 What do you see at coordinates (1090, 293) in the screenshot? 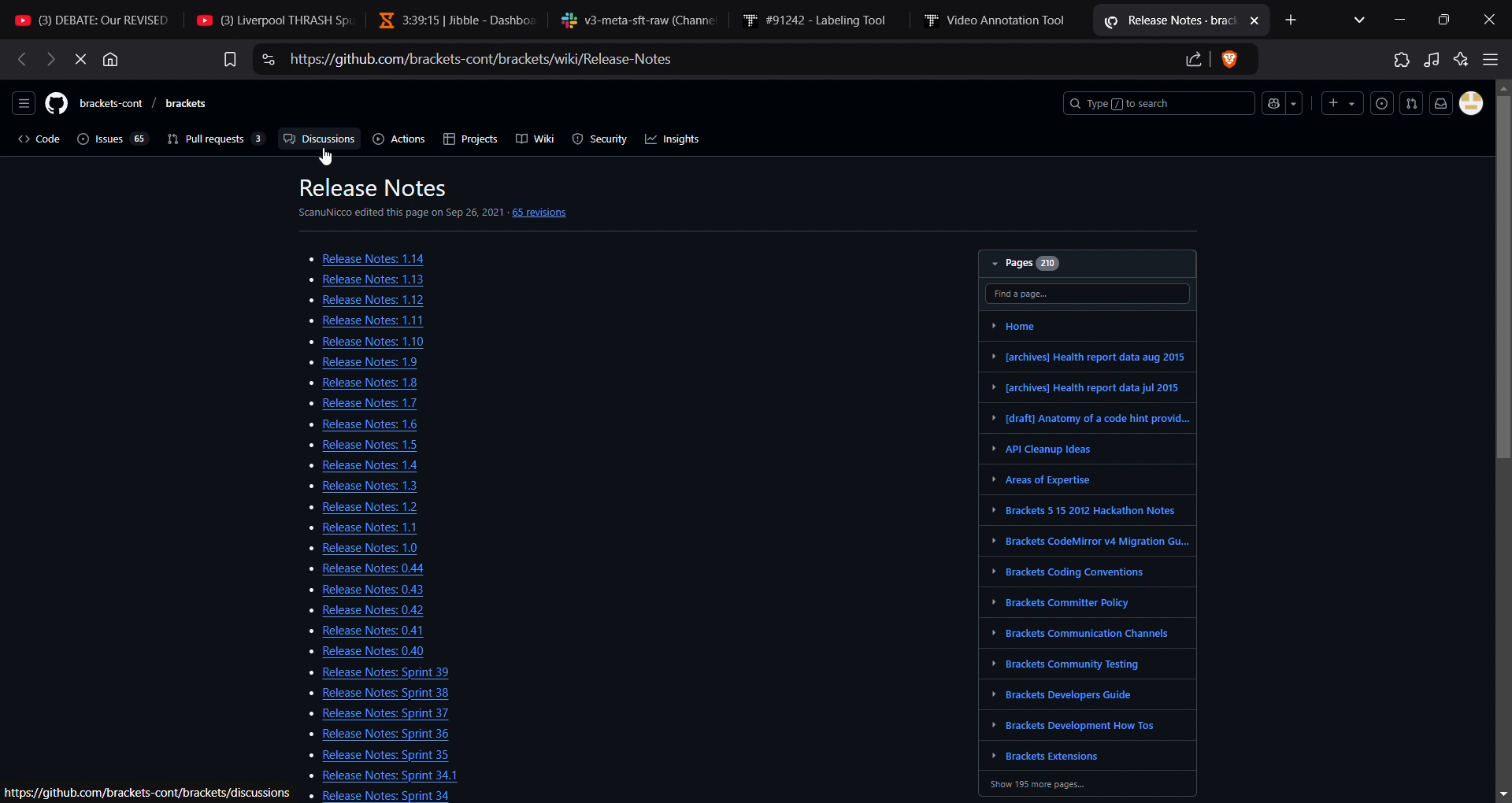
I see `find a page` at bounding box center [1090, 293].